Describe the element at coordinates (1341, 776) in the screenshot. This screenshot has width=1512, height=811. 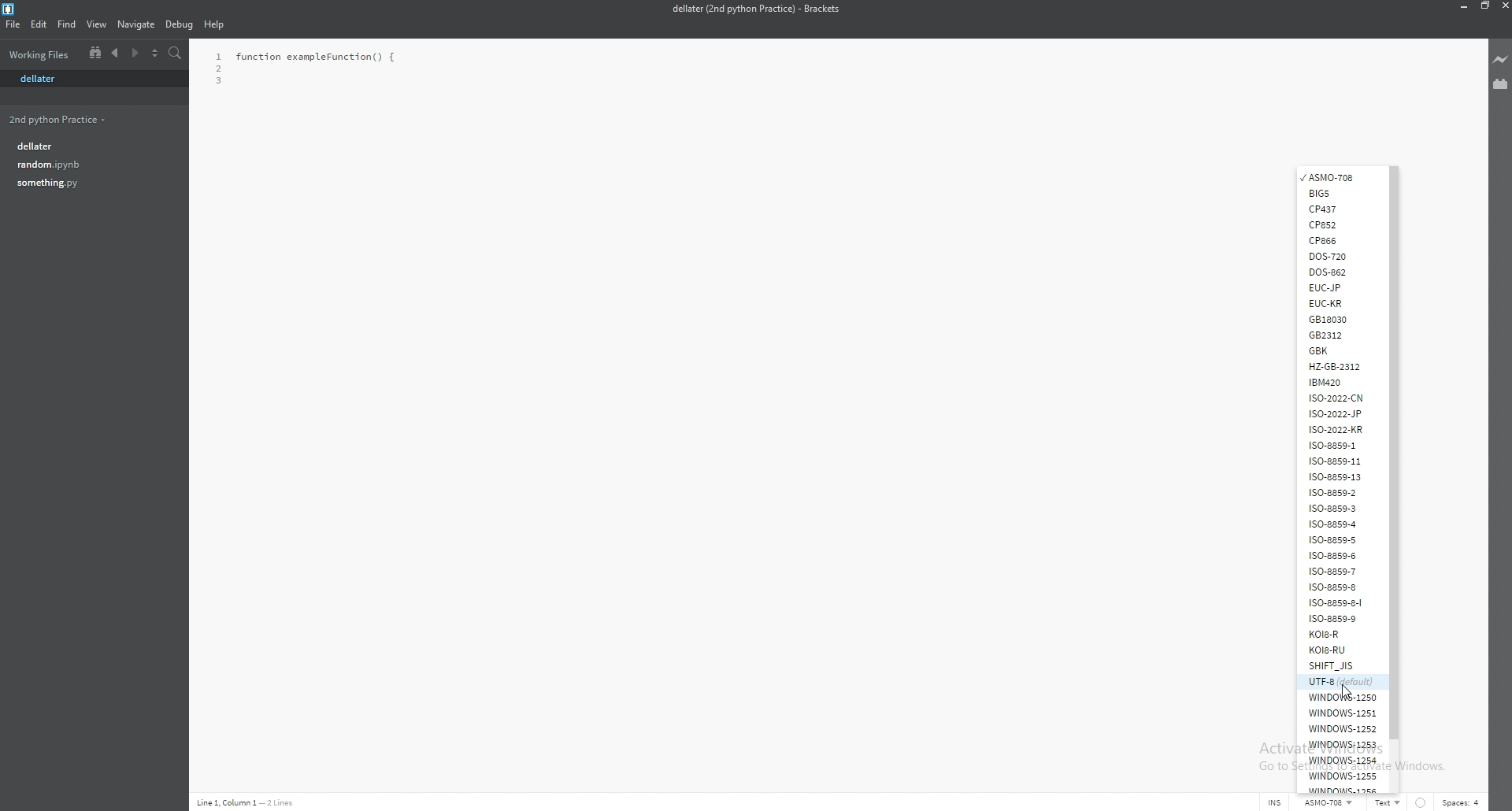
I see `windows-1255` at that location.